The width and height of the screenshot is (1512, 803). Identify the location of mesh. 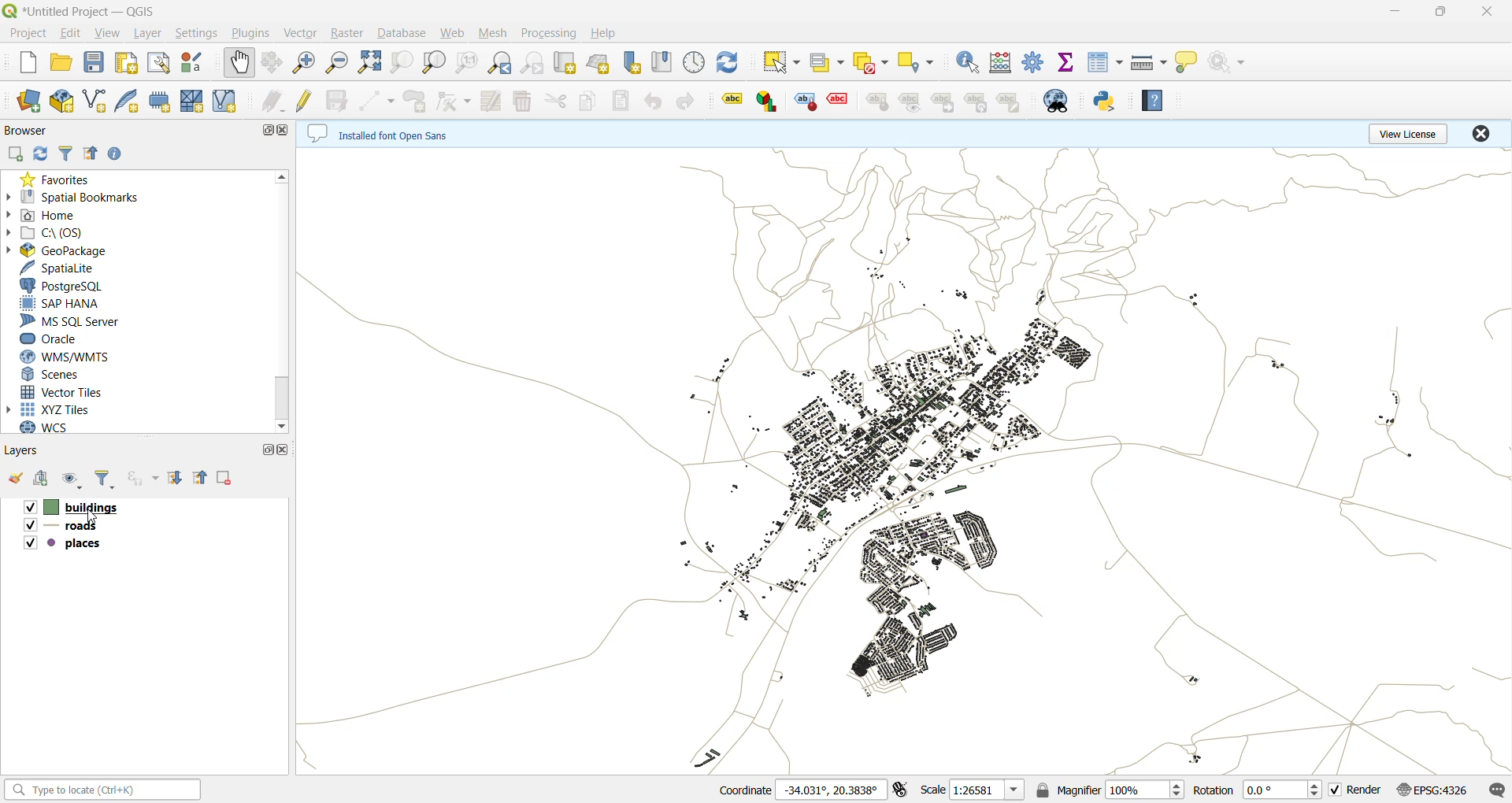
(494, 32).